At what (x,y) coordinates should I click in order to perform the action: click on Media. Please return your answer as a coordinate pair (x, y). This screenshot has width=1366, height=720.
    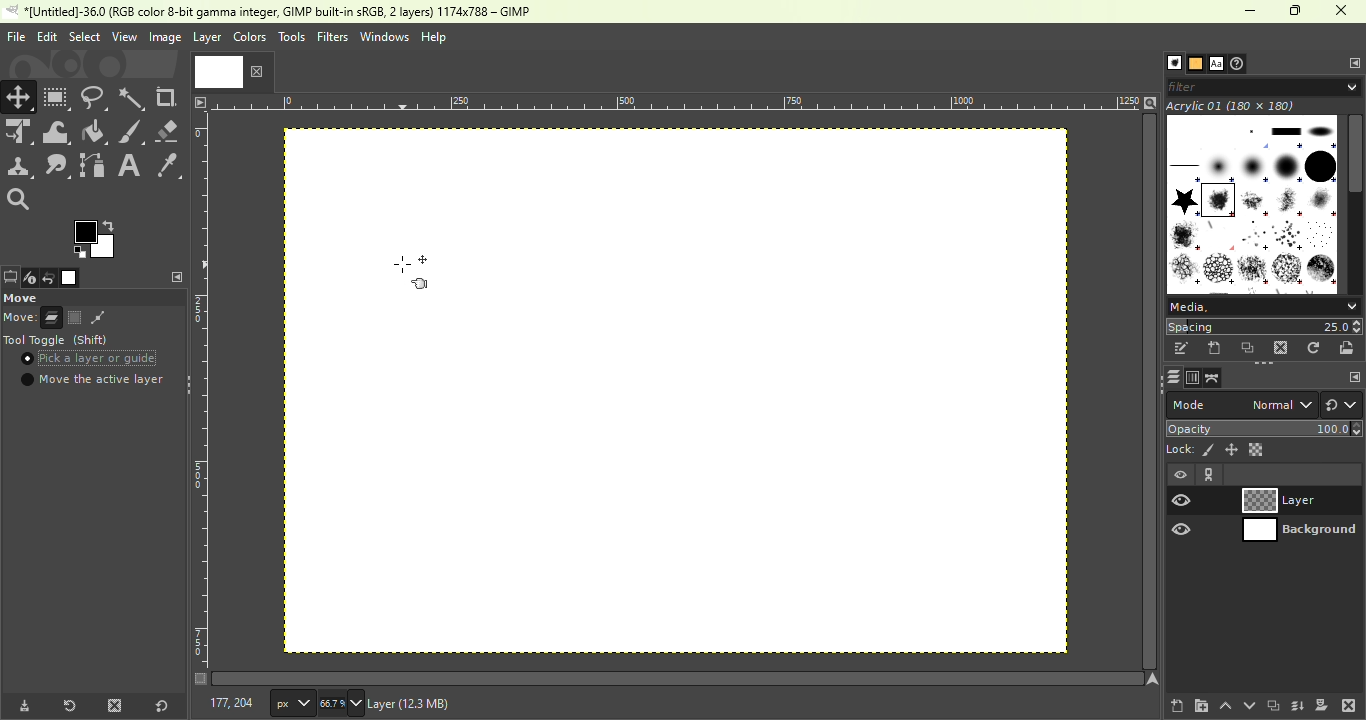
    Looking at the image, I should click on (1262, 305).